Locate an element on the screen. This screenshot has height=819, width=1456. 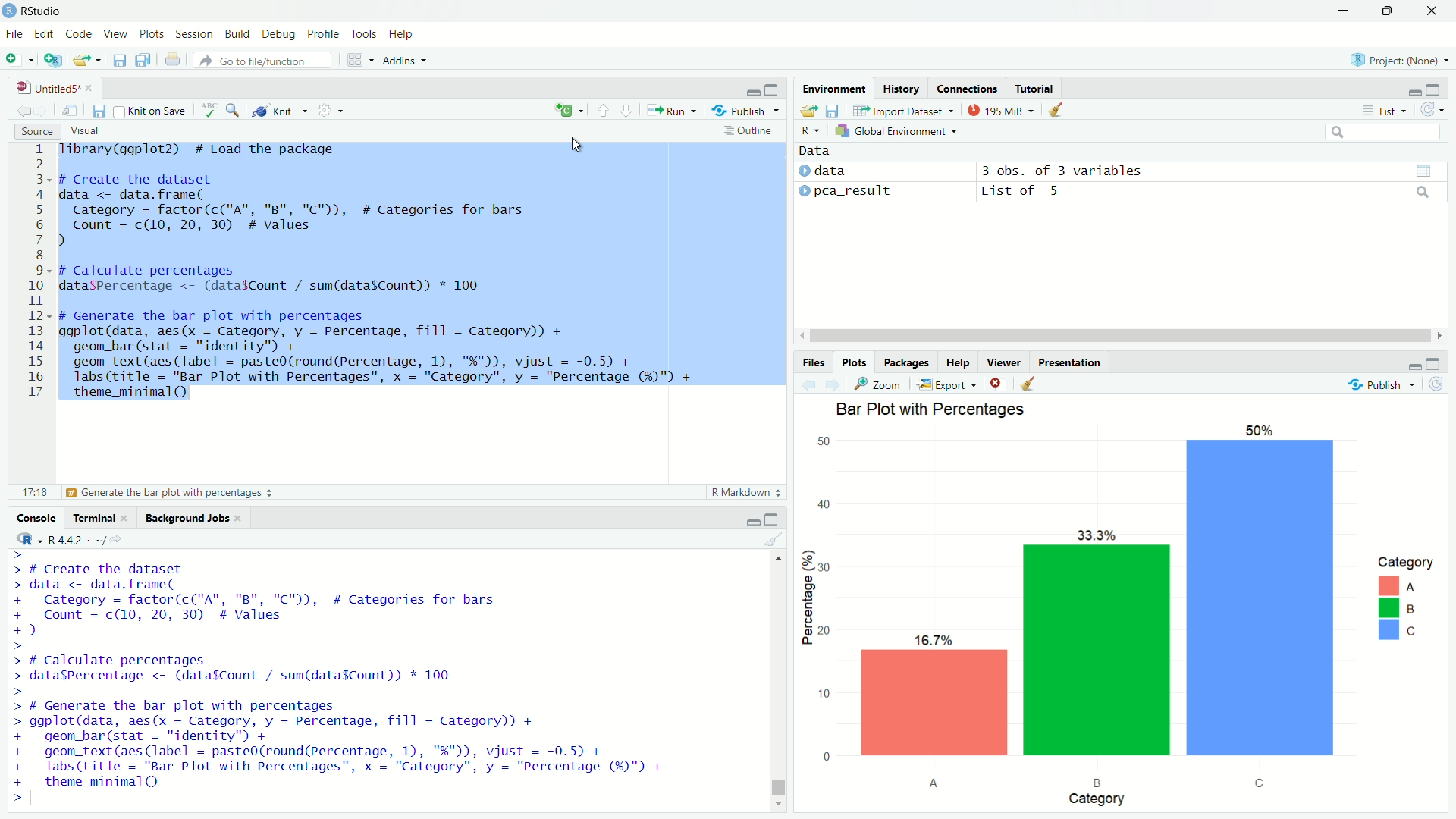
publish is located at coordinates (739, 111).